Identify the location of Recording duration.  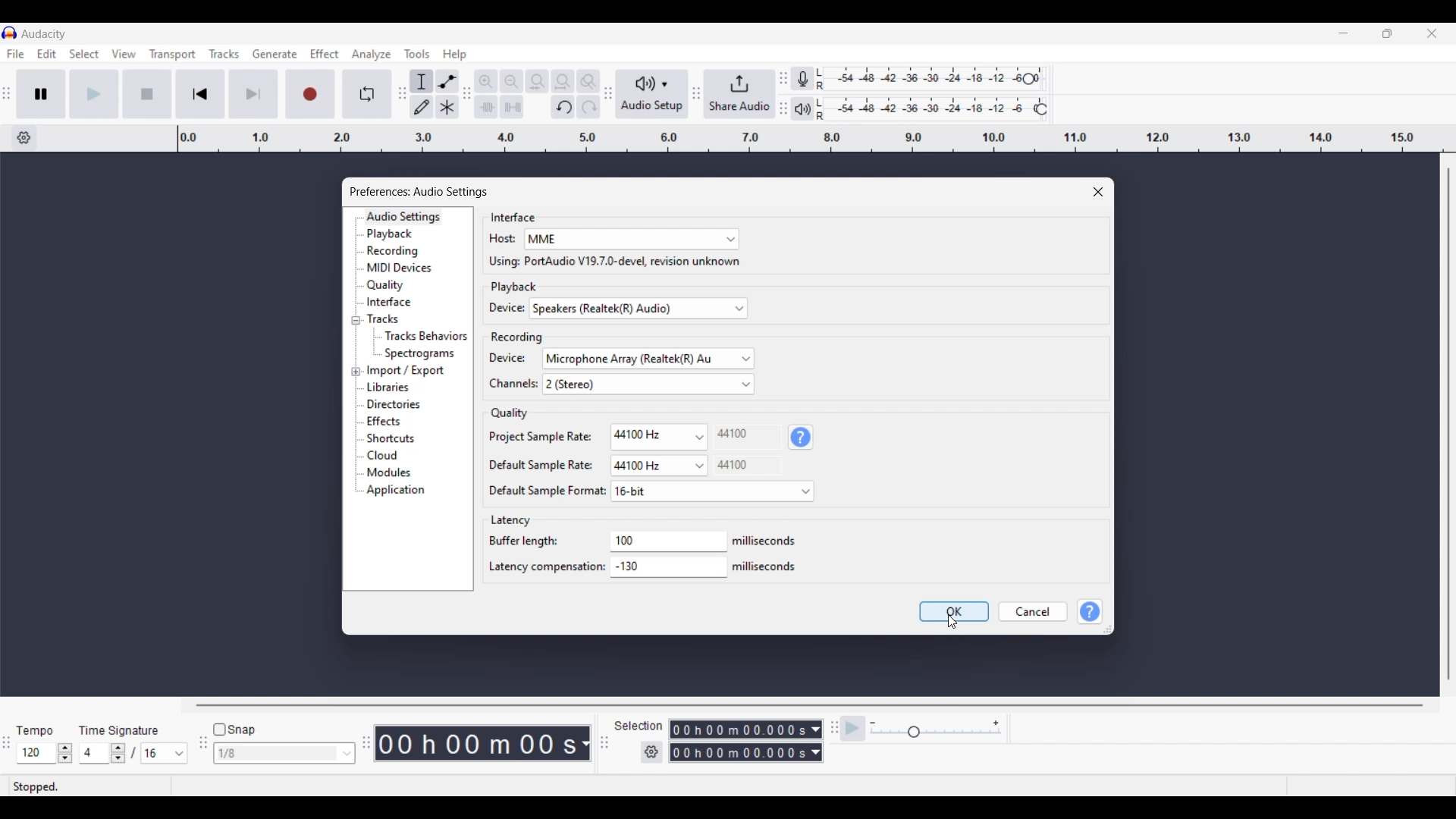
(737, 741).